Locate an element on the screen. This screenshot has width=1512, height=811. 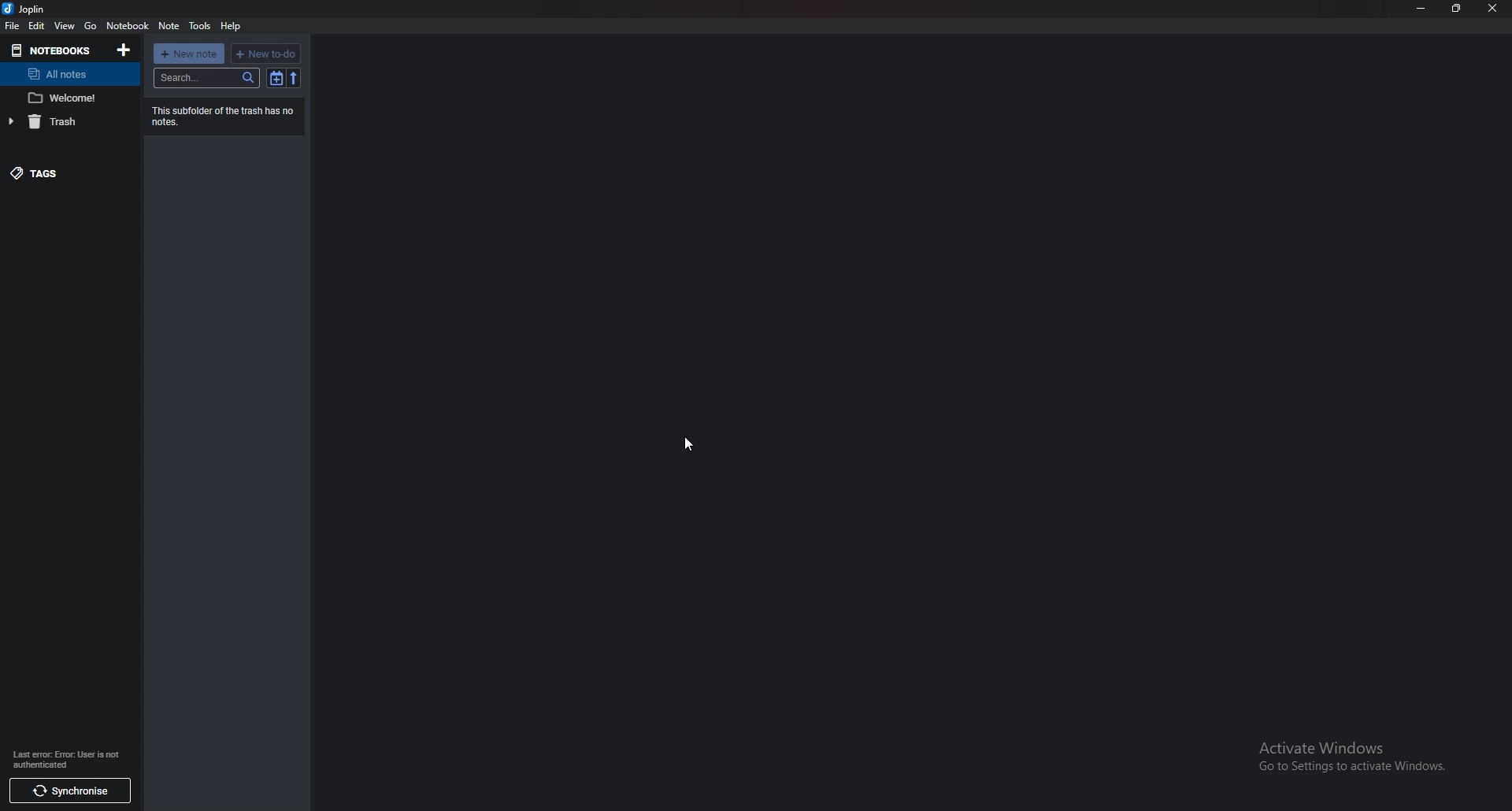
Info is located at coordinates (69, 757).